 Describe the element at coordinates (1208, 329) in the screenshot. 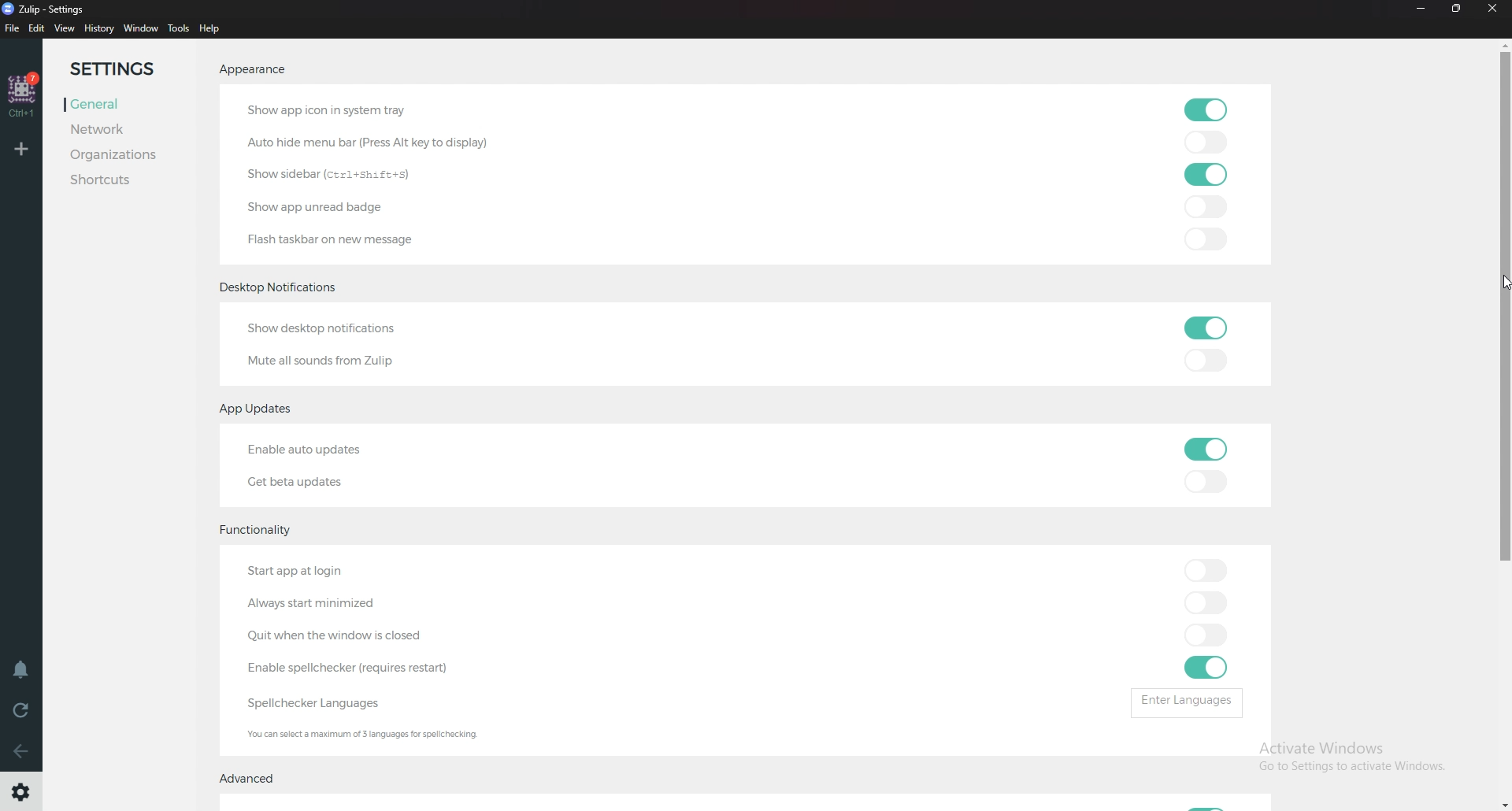

I see `toggle` at that location.